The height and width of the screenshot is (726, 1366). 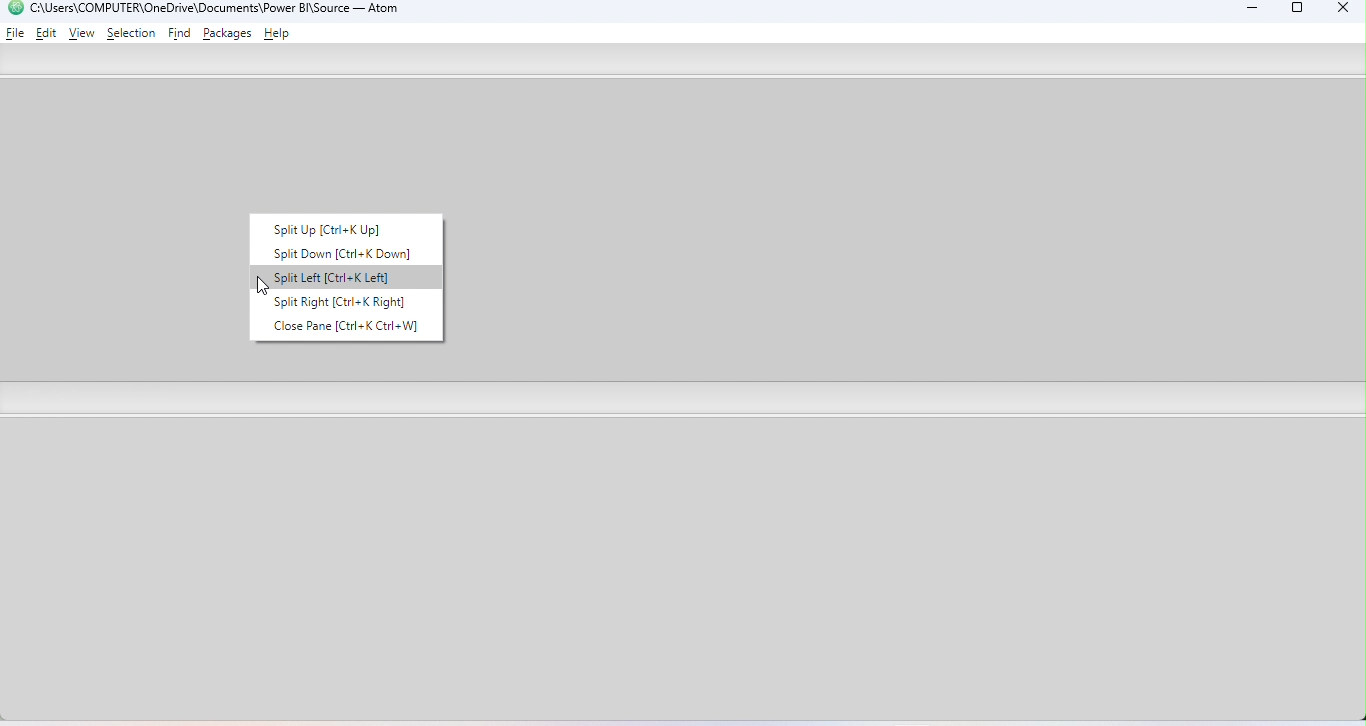 I want to click on Close, so click(x=1338, y=10).